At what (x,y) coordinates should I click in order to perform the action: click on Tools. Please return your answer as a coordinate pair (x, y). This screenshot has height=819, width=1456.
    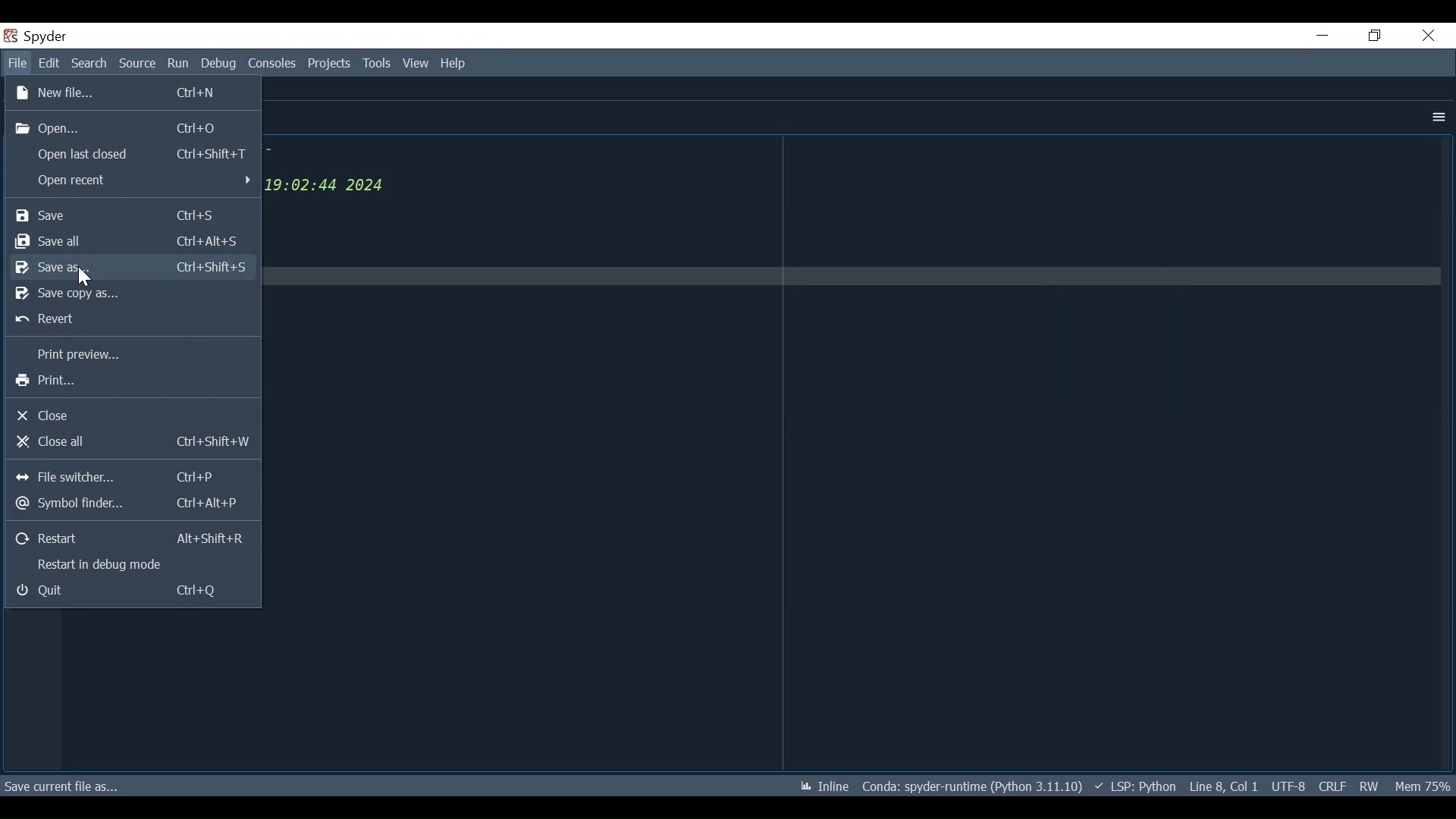
    Looking at the image, I should click on (377, 63).